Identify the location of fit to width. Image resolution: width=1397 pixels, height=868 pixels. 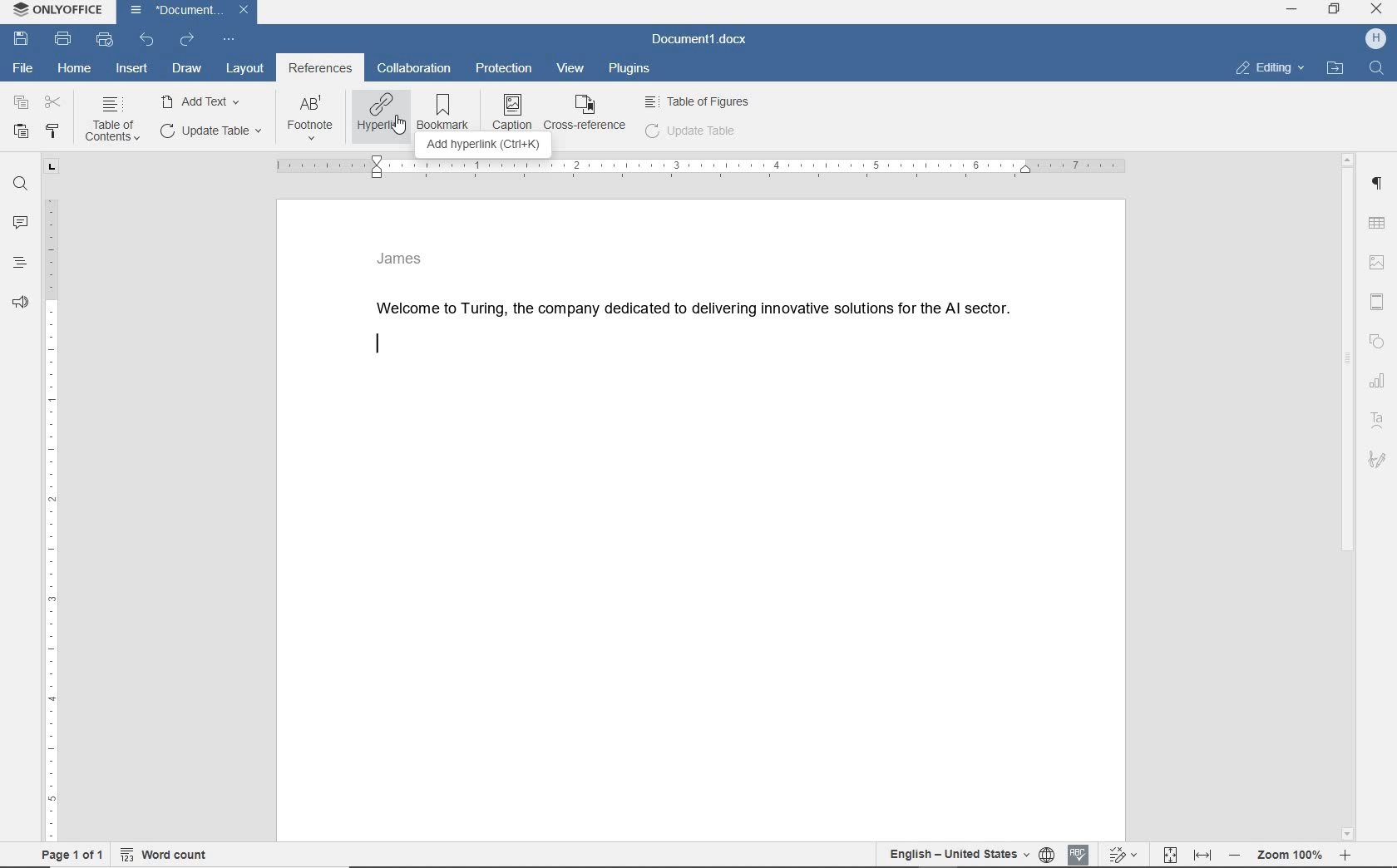
(1202, 854).